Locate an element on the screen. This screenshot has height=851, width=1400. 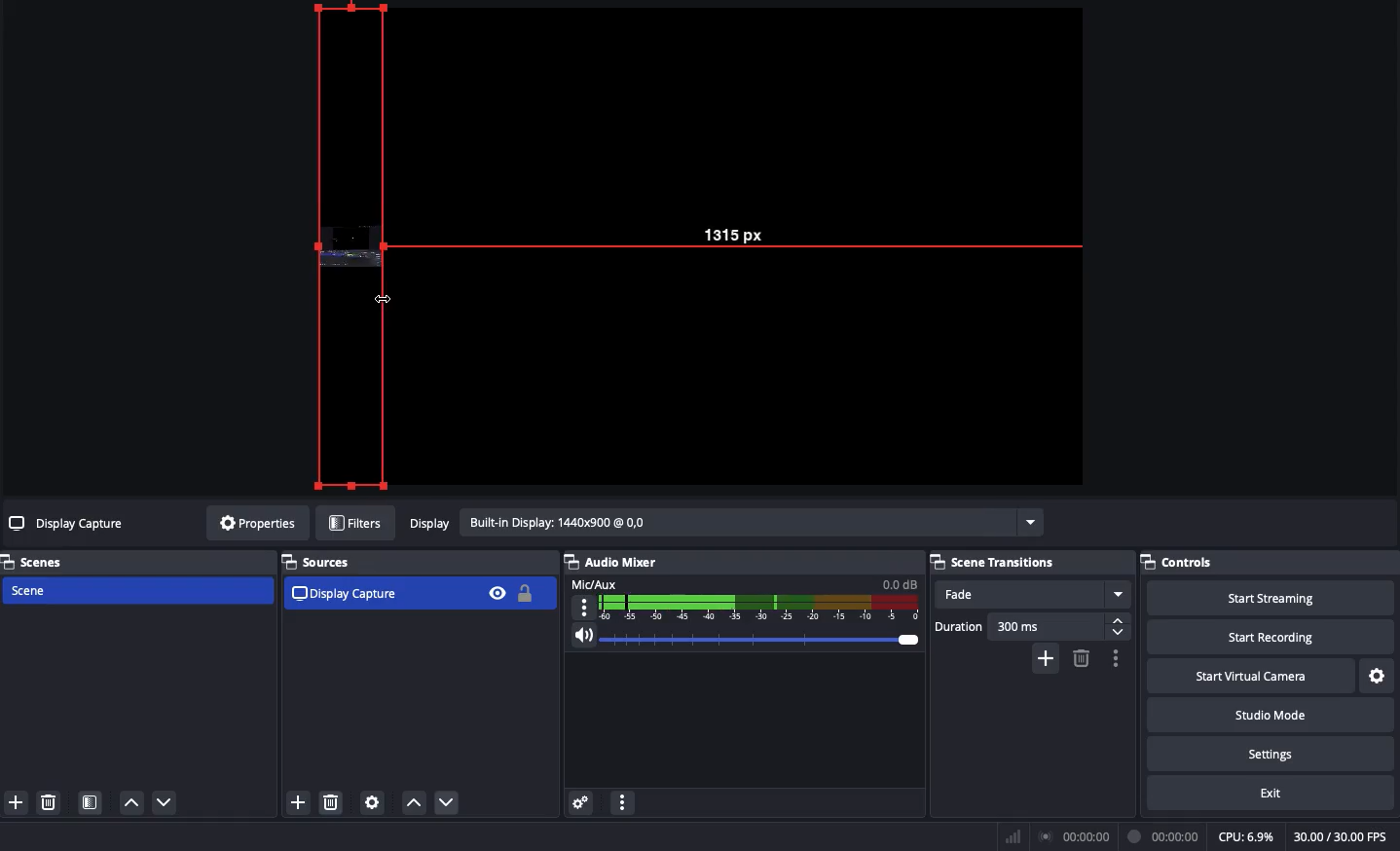
1315 px is located at coordinates (747, 230).